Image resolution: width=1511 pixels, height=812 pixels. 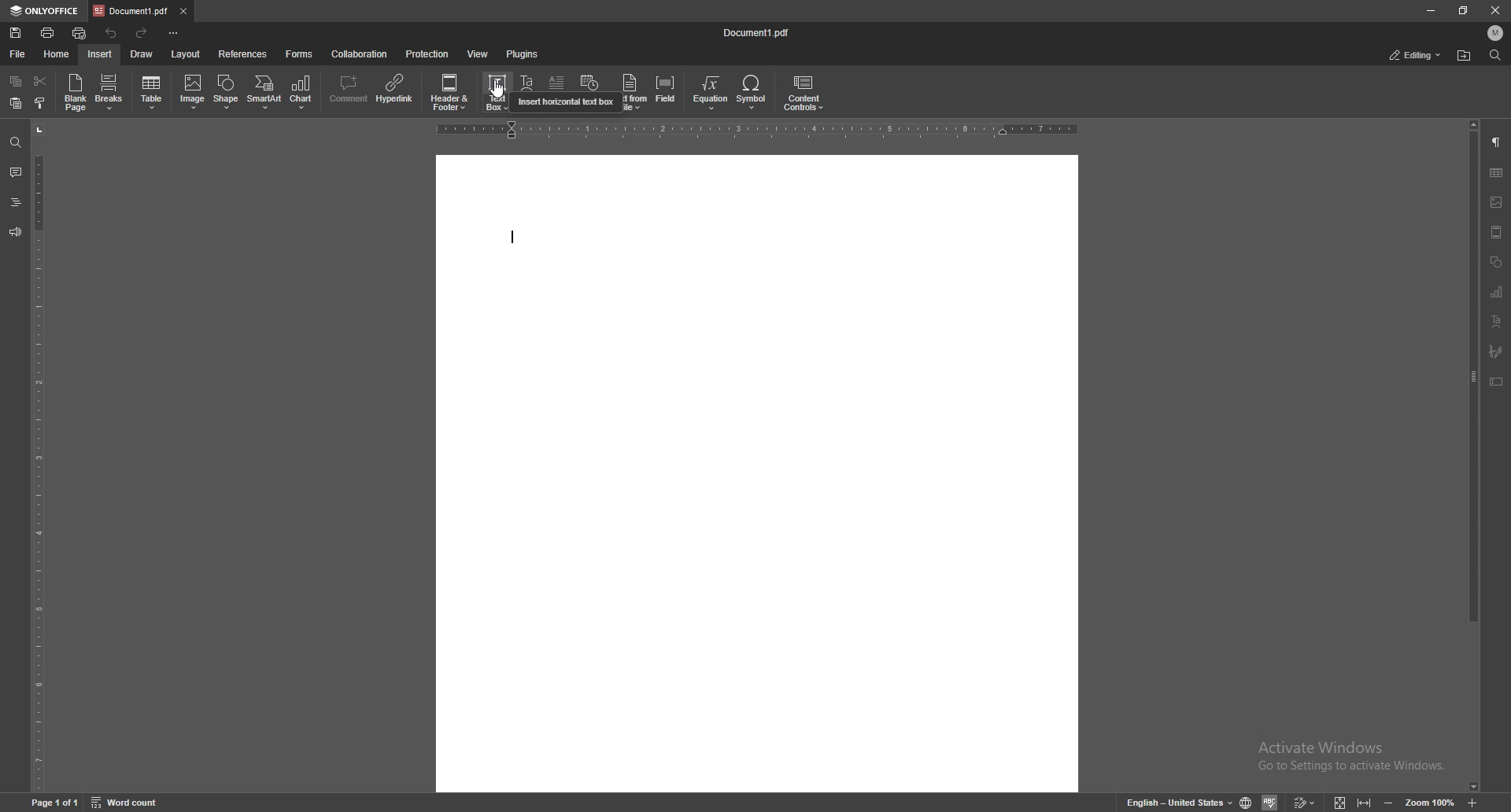 What do you see at coordinates (109, 92) in the screenshot?
I see `breaks` at bounding box center [109, 92].